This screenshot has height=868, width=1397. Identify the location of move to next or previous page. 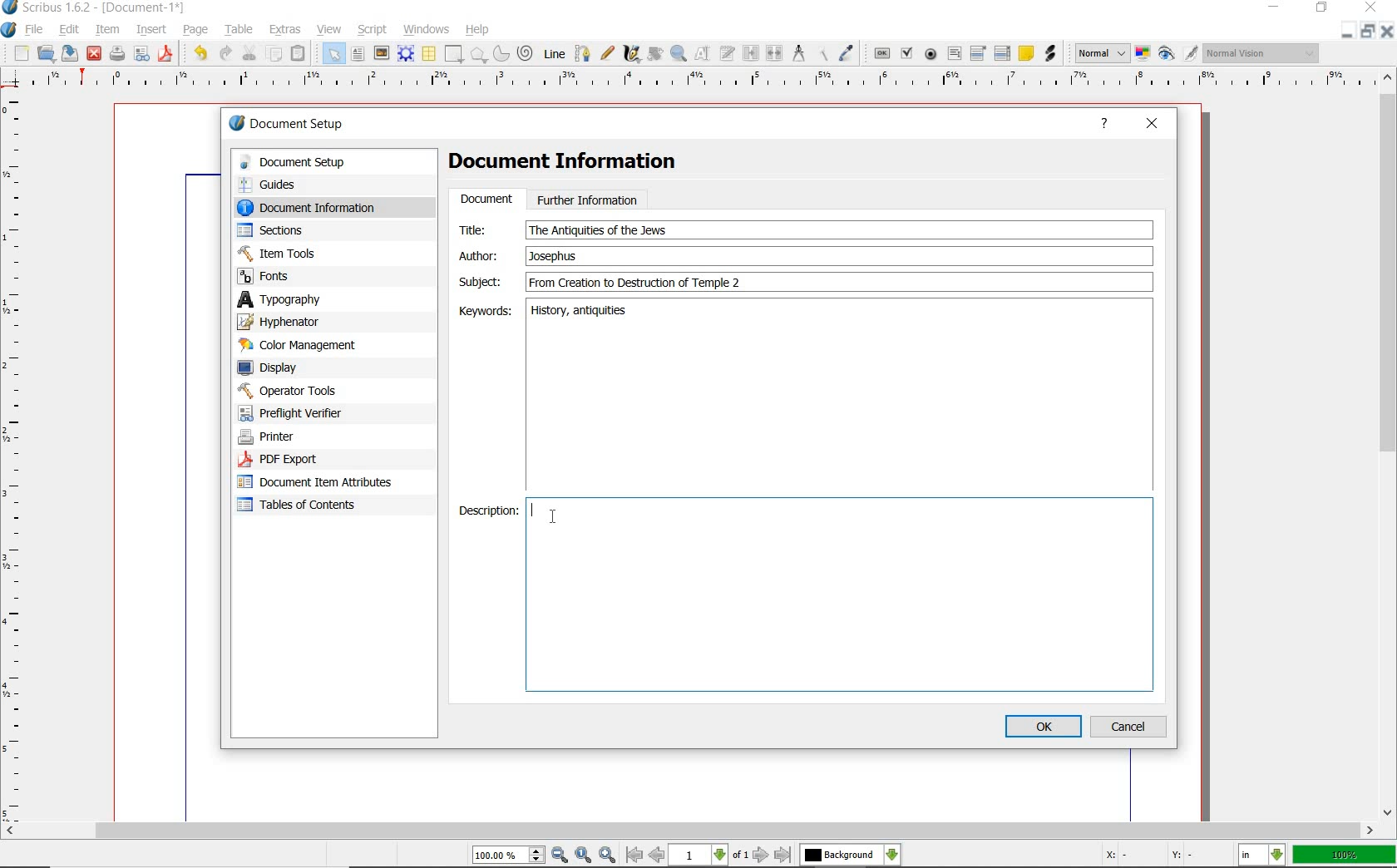
(710, 856).